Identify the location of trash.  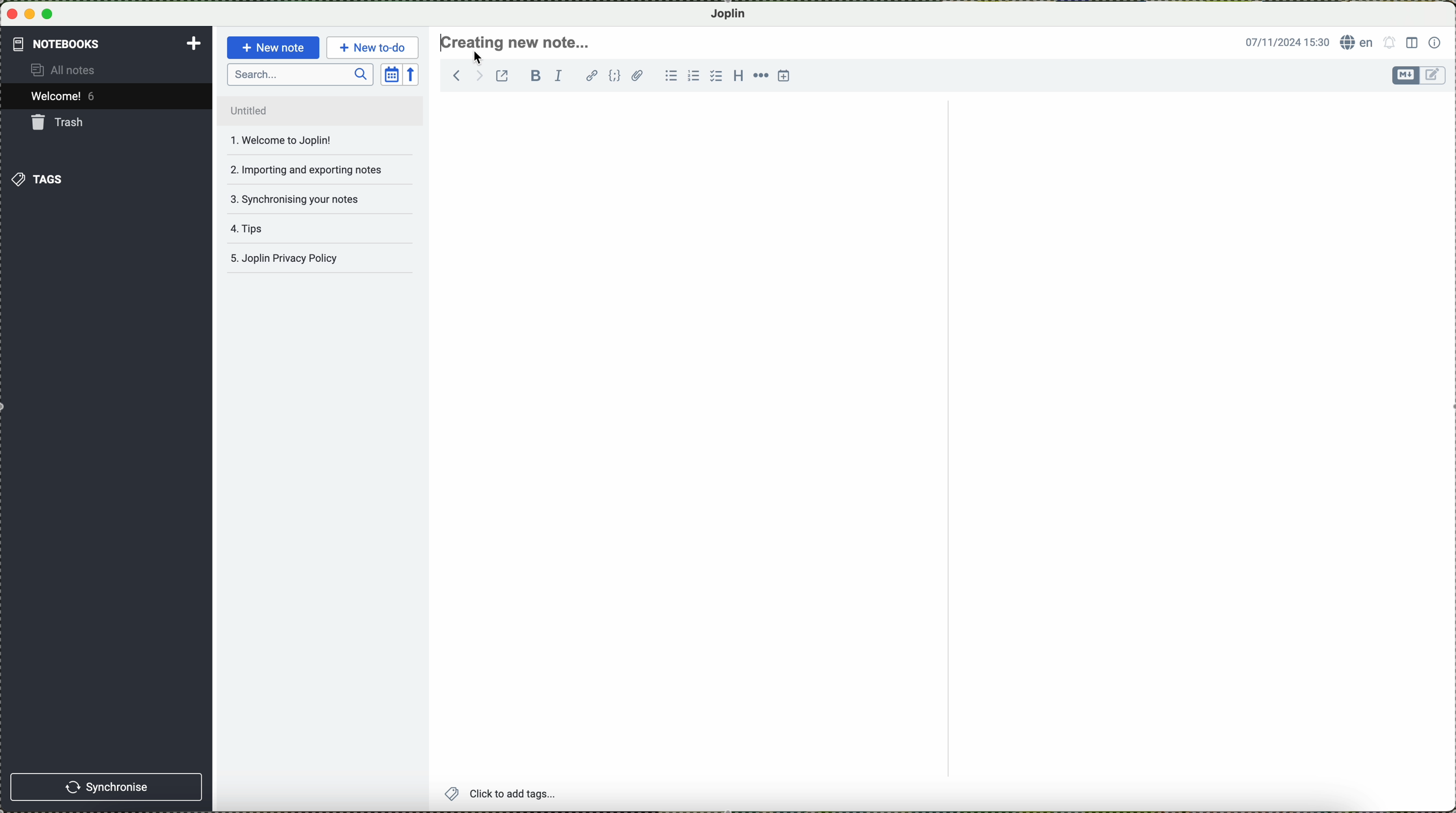
(60, 122).